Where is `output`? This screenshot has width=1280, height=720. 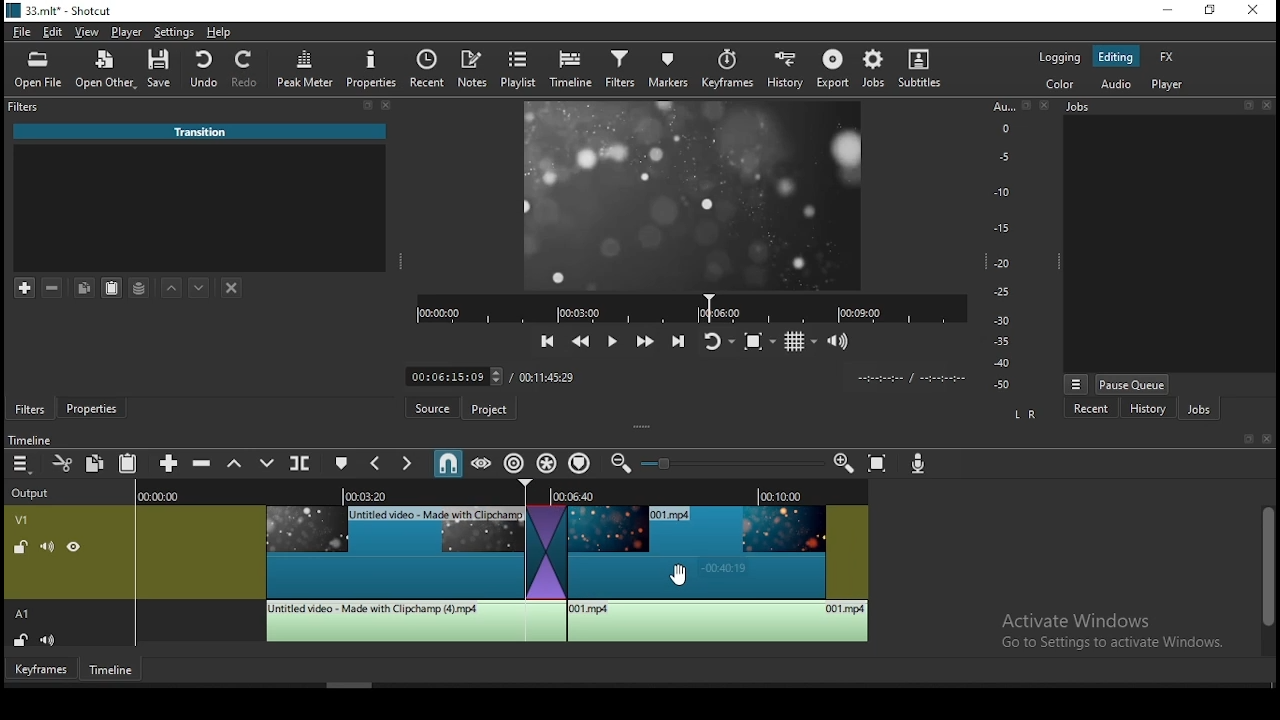 output is located at coordinates (35, 491).